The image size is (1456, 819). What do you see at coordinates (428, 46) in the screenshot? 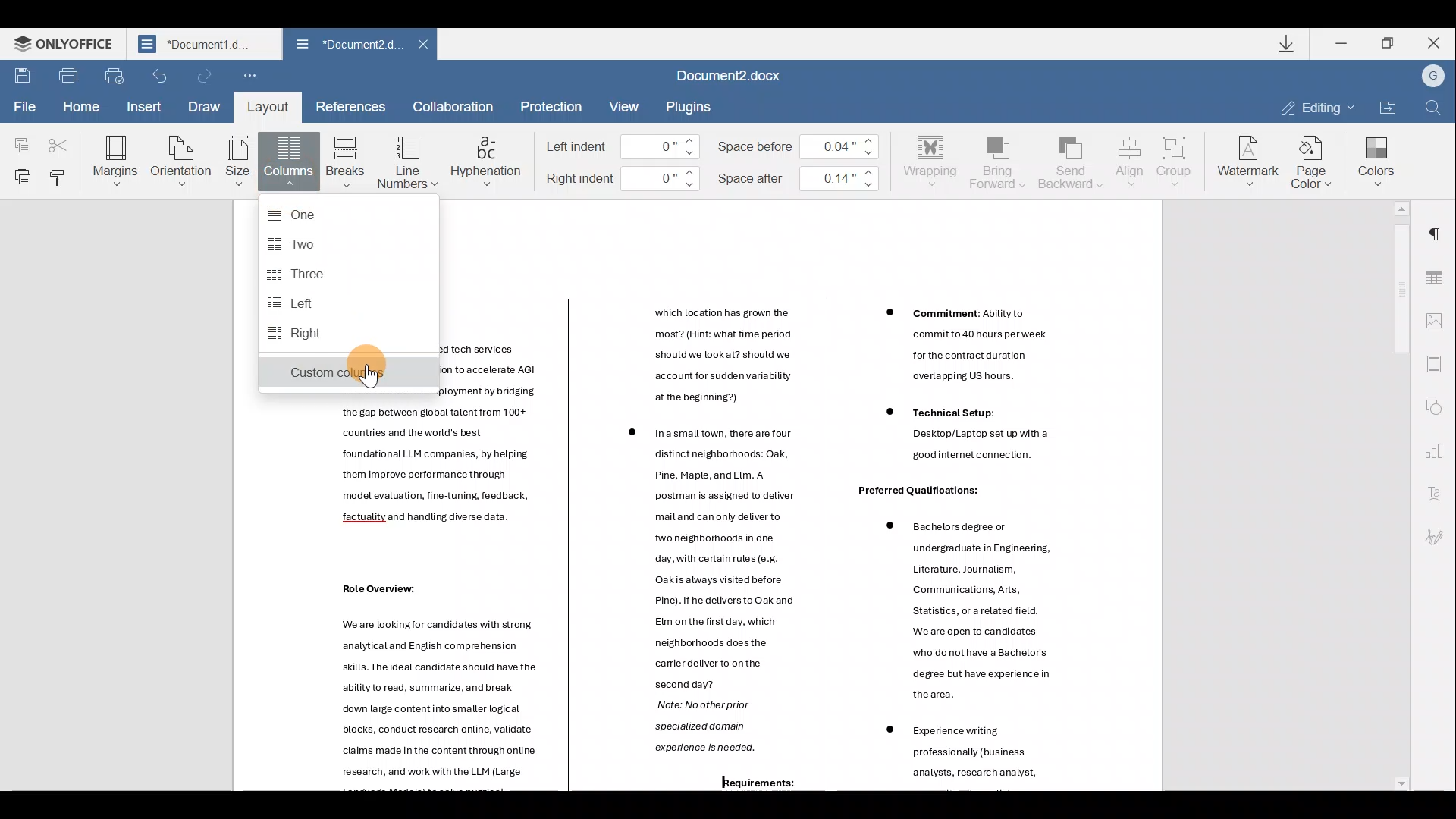
I see `Close` at bounding box center [428, 46].